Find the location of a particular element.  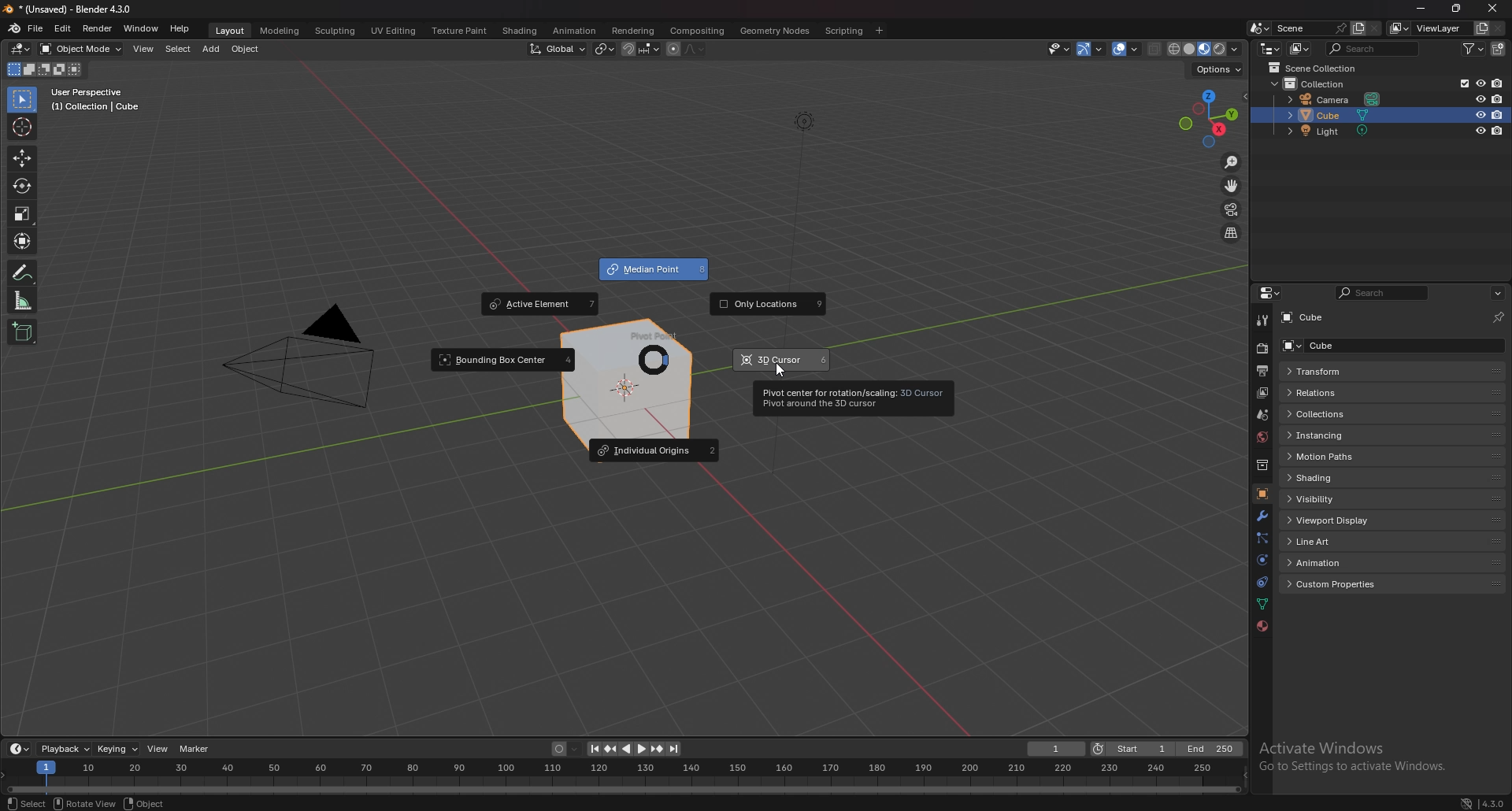

modeling is located at coordinates (280, 30).